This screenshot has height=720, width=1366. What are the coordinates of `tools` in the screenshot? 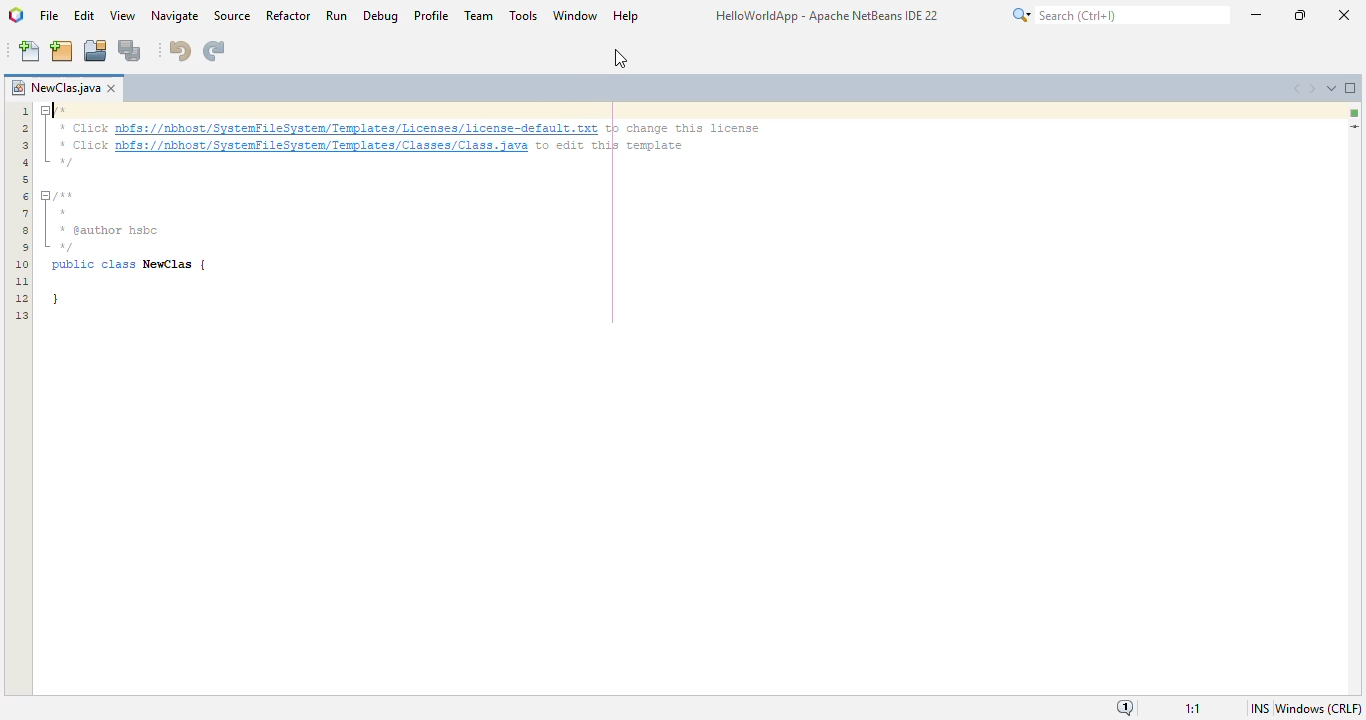 It's located at (522, 14).